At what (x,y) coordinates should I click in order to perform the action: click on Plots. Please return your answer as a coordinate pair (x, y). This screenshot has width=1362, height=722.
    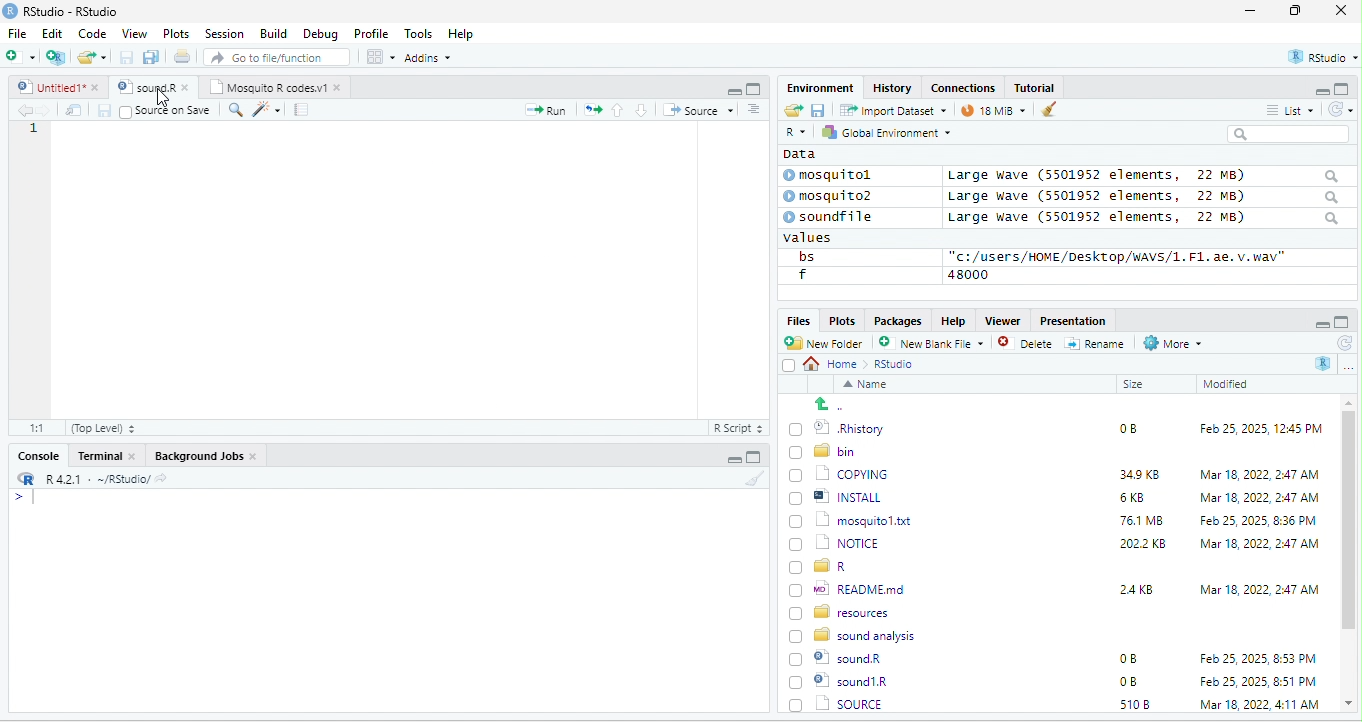
    Looking at the image, I should click on (177, 33).